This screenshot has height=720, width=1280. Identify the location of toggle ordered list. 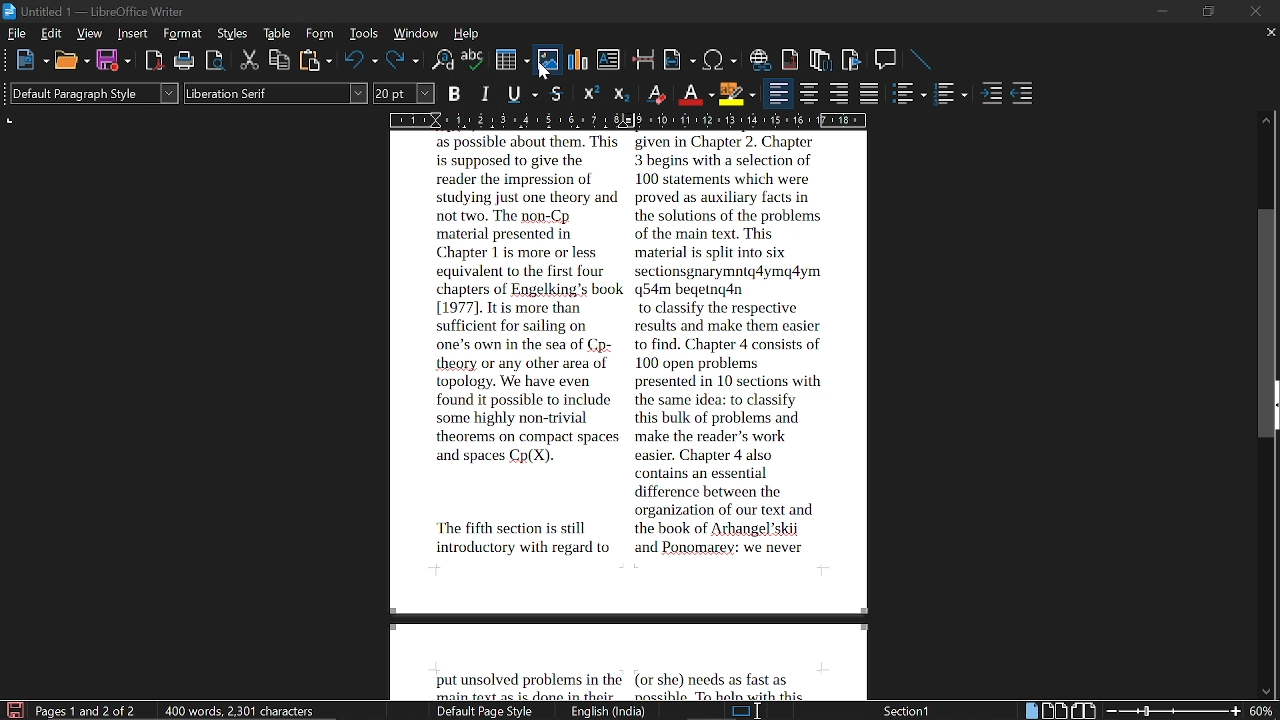
(951, 95).